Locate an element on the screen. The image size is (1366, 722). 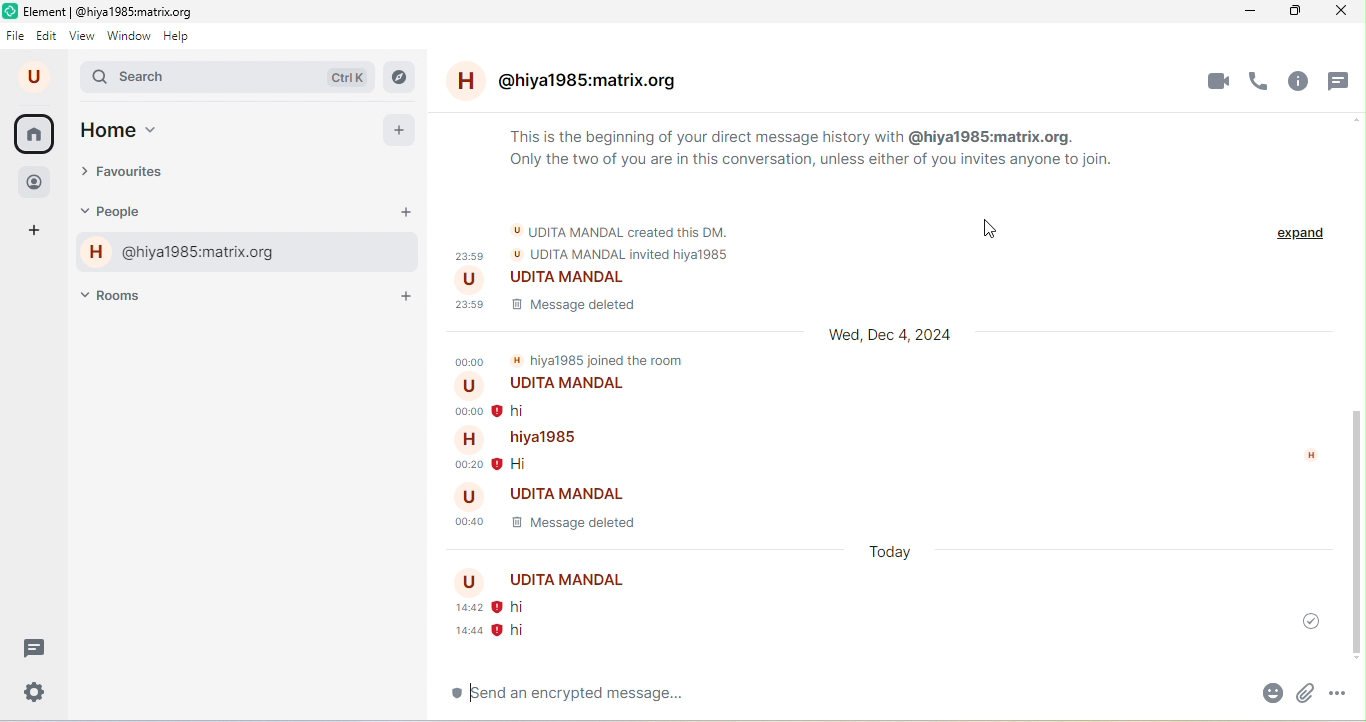
00.00 is located at coordinates (465, 409).